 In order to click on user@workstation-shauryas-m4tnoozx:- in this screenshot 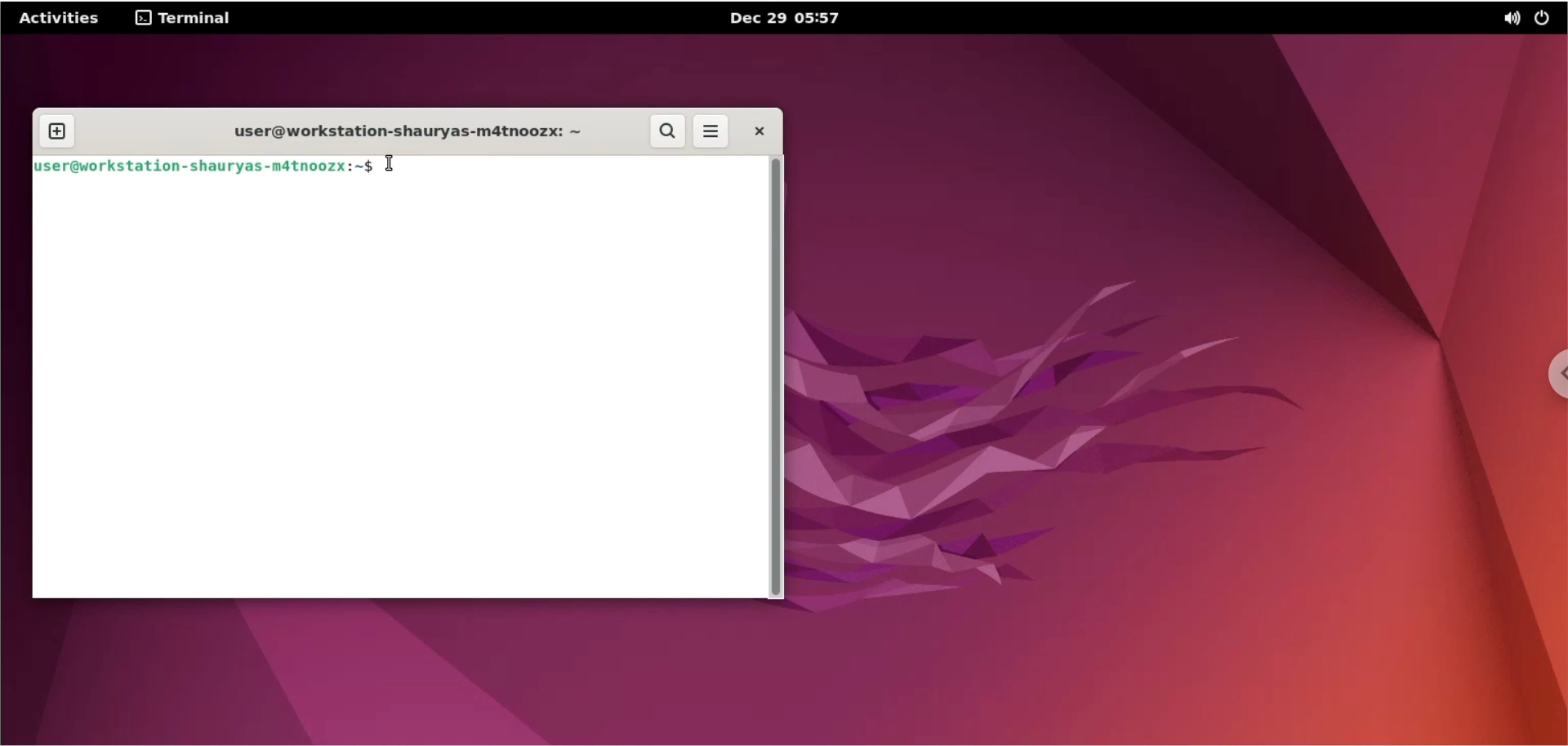, I will do `click(390, 131)`.